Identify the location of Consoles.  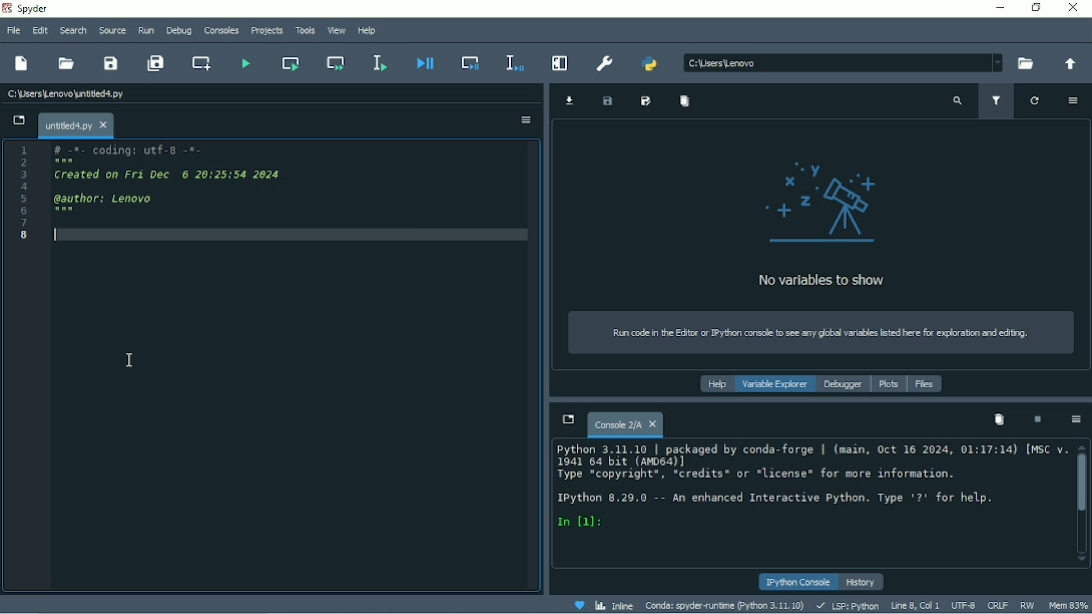
(221, 31).